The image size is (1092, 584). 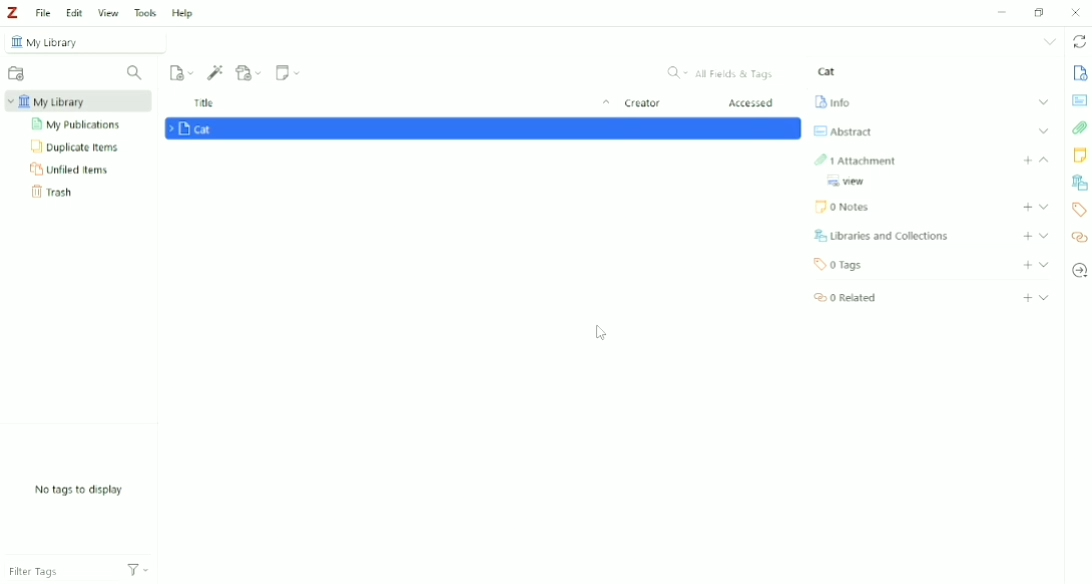 What do you see at coordinates (74, 13) in the screenshot?
I see `Edit` at bounding box center [74, 13].